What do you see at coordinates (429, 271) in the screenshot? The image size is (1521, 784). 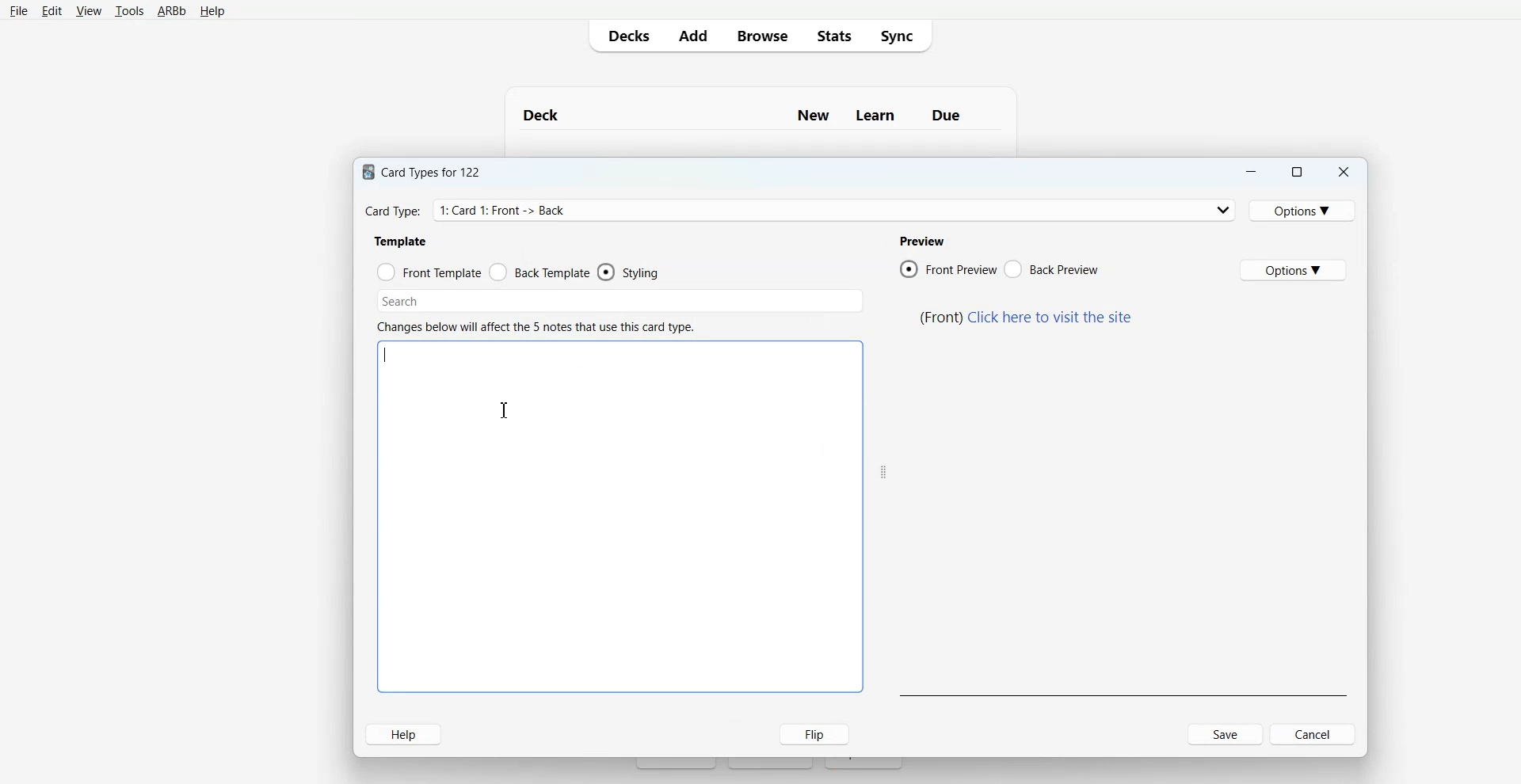 I see `Front Template` at bounding box center [429, 271].